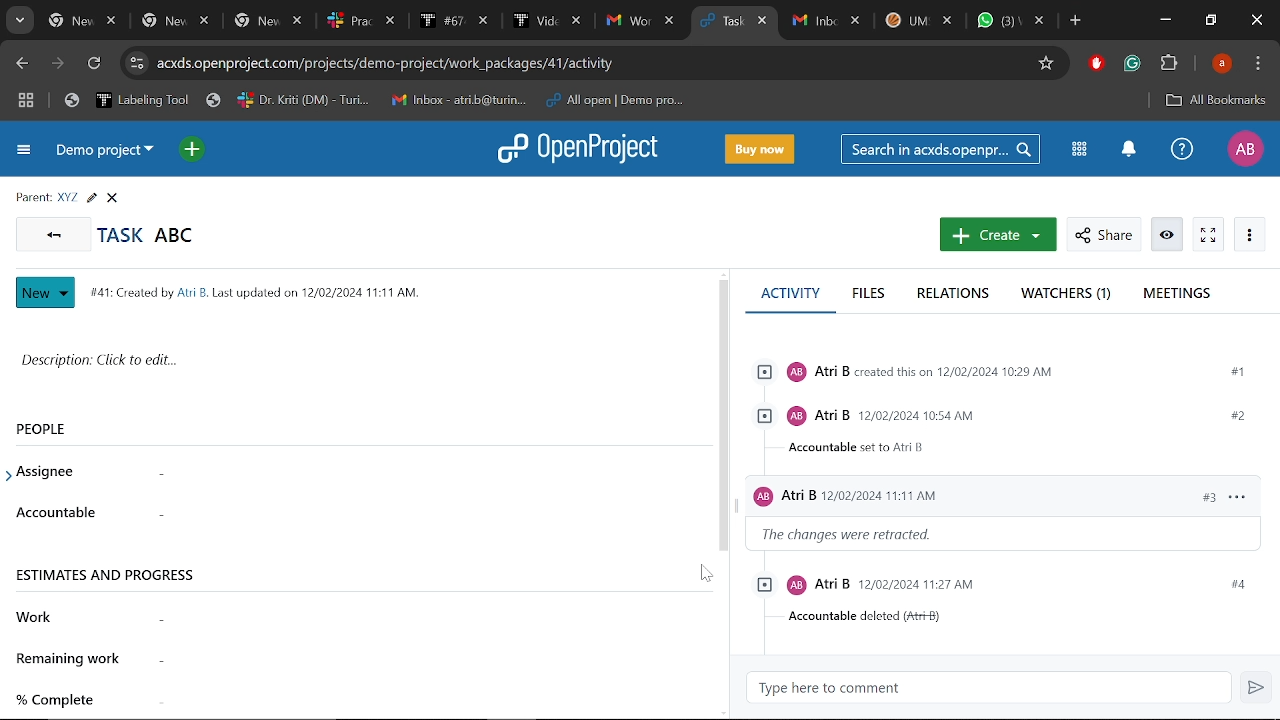 Image resolution: width=1280 pixels, height=720 pixels. What do you see at coordinates (592, 63) in the screenshot?
I see `Current site address` at bounding box center [592, 63].